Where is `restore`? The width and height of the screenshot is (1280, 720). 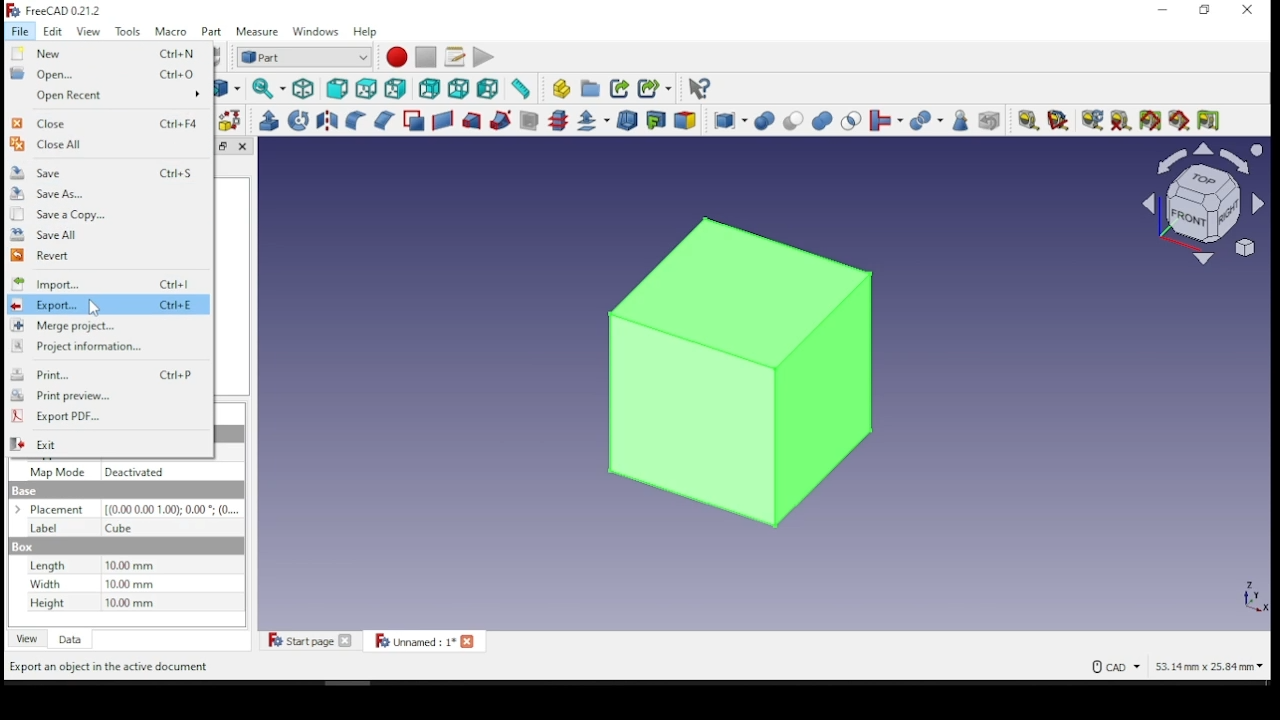
restore is located at coordinates (1205, 11).